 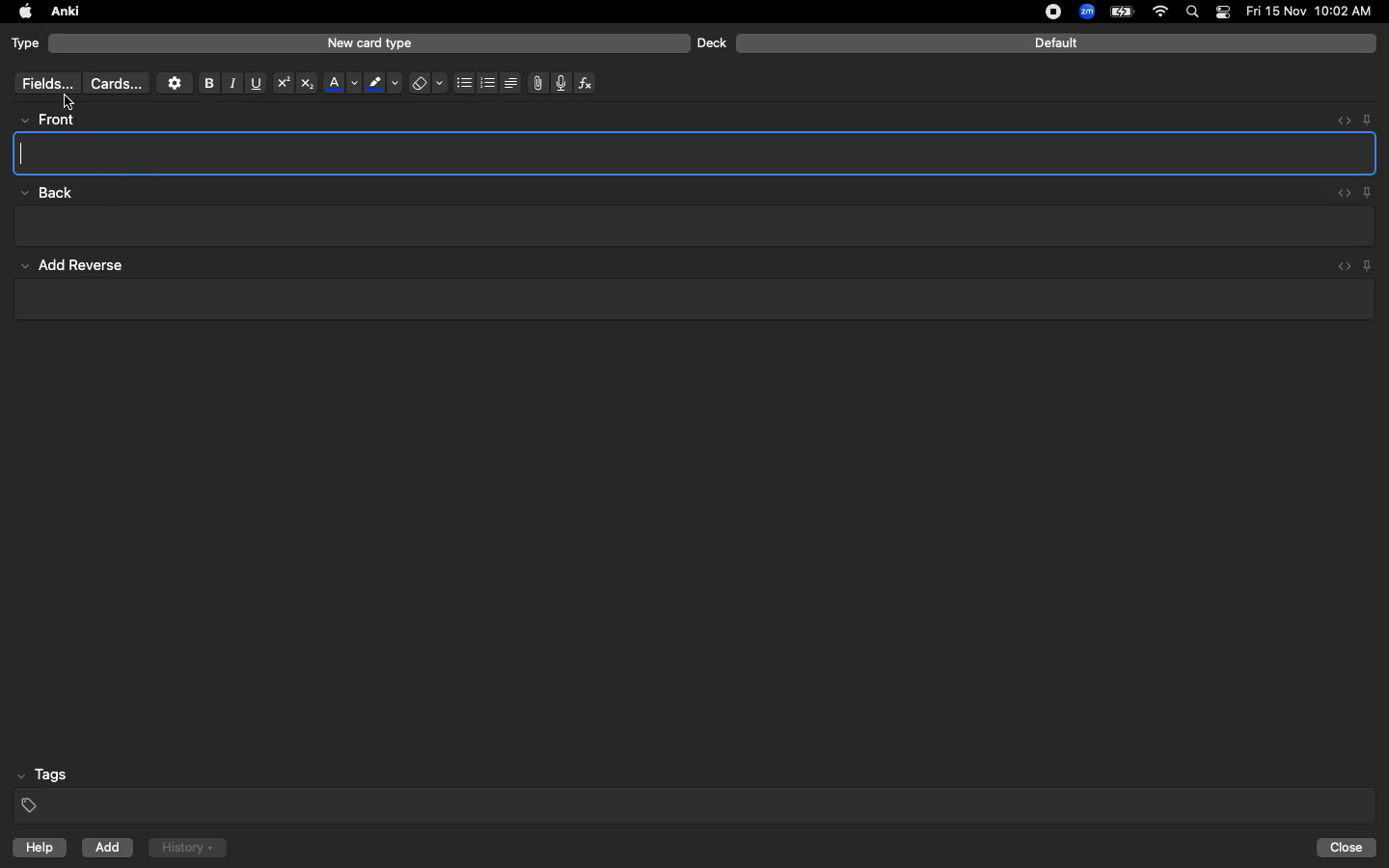 I want to click on Settings, so click(x=175, y=83).